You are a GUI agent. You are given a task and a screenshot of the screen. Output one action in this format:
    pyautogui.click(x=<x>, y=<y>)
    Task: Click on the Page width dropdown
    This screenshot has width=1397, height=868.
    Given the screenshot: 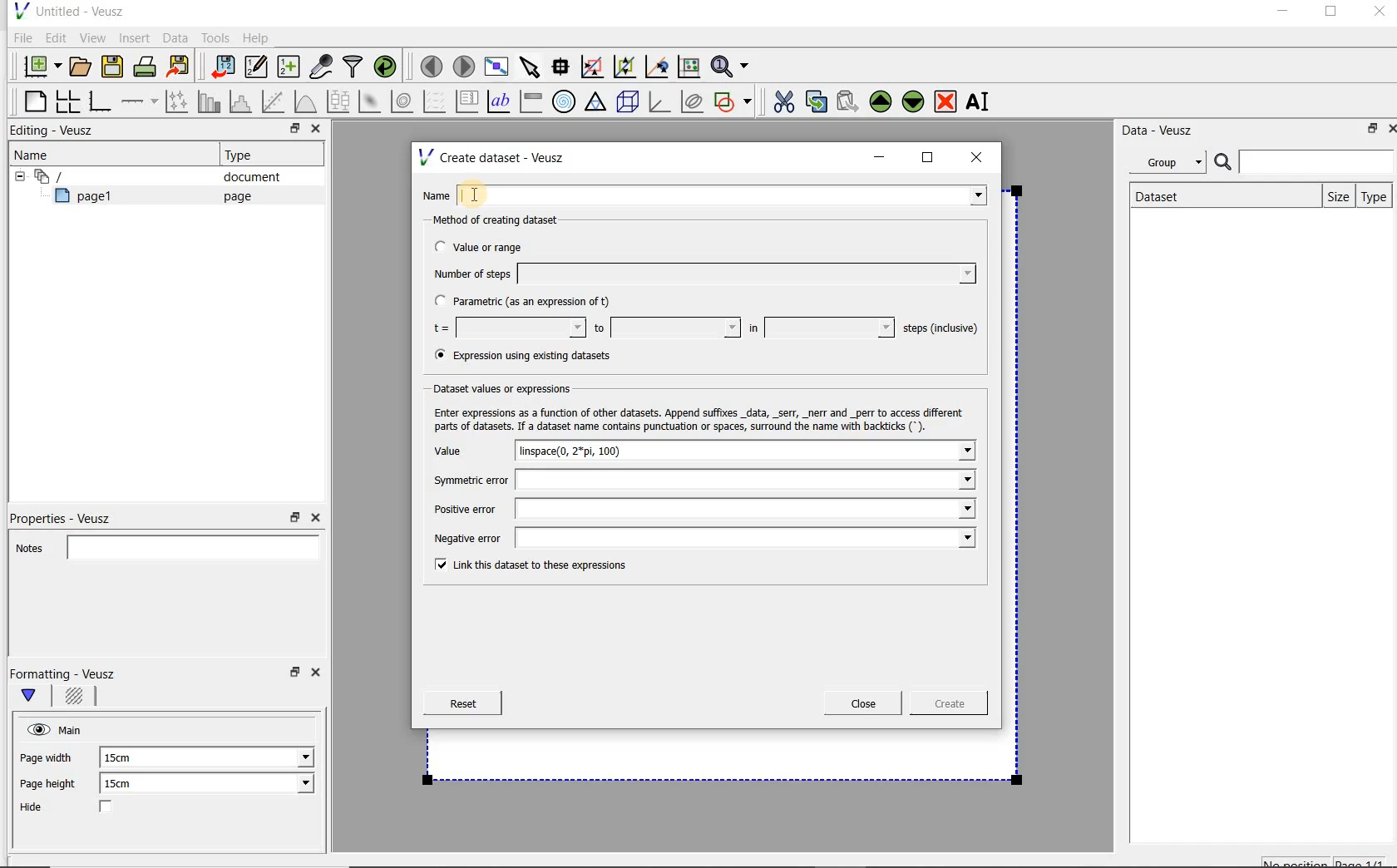 What is the action you would take?
    pyautogui.click(x=287, y=757)
    